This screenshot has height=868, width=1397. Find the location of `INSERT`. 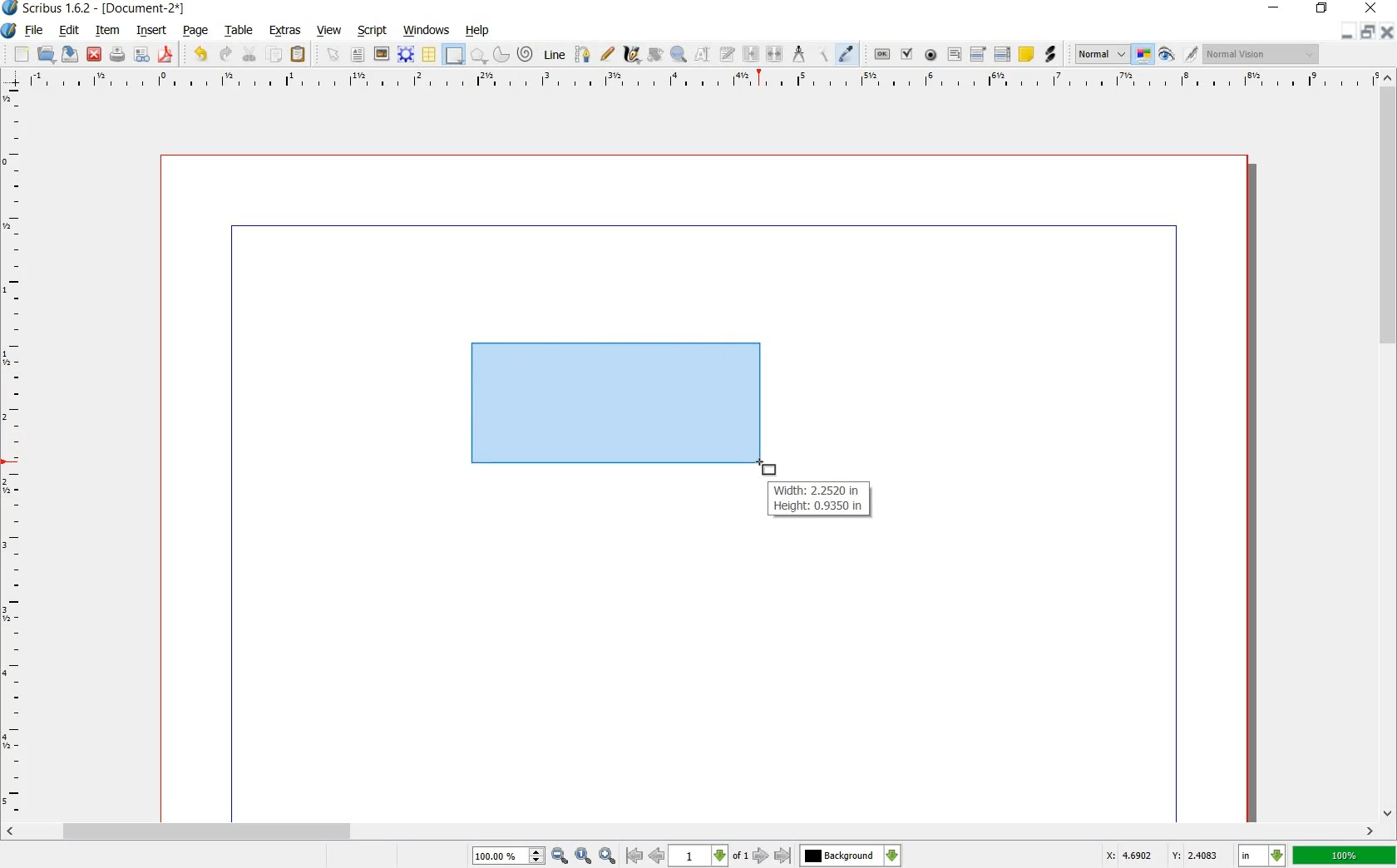

INSERT is located at coordinates (151, 31).